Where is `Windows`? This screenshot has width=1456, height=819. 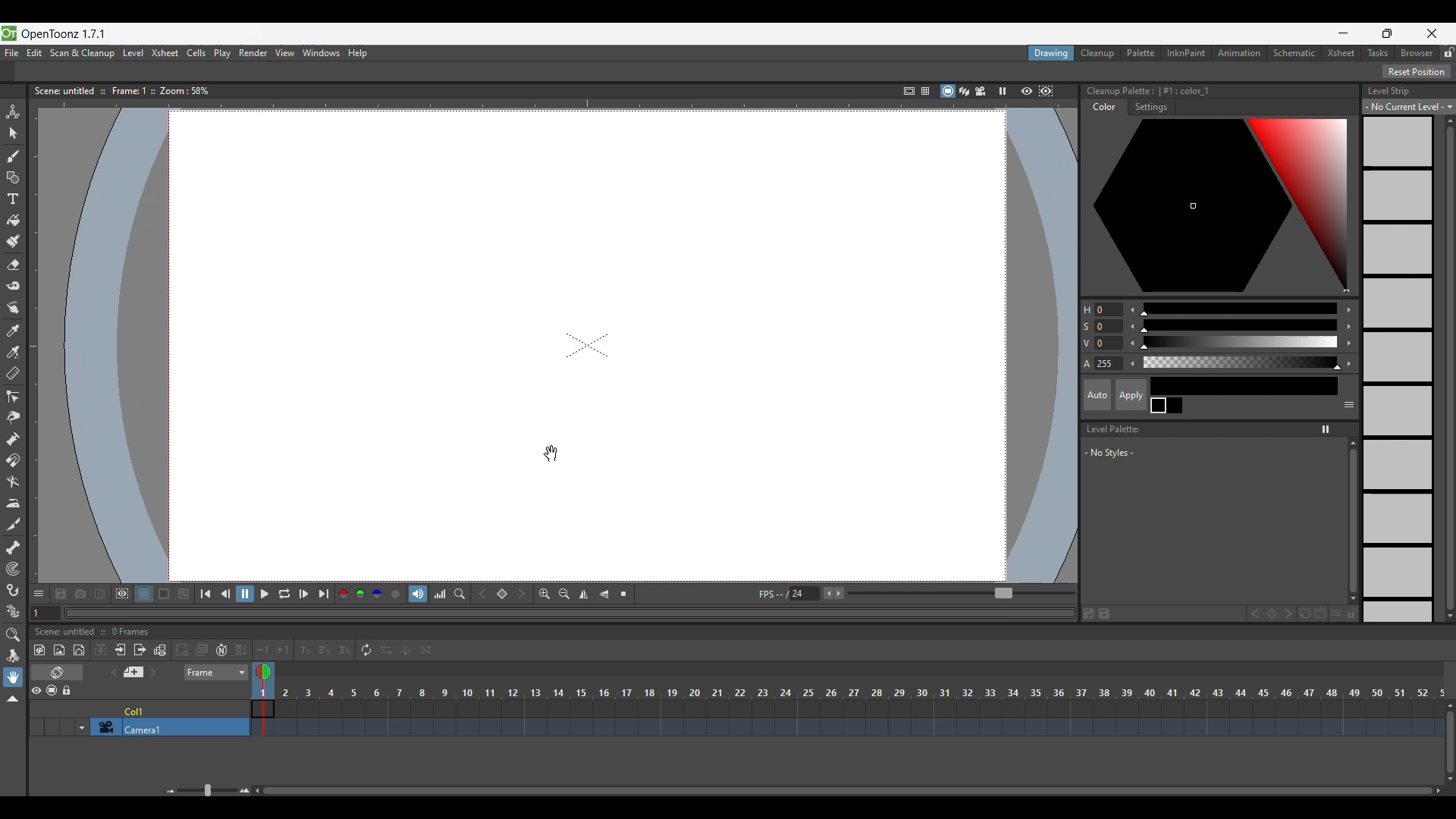 Windows is located at coordinates (322, 52).